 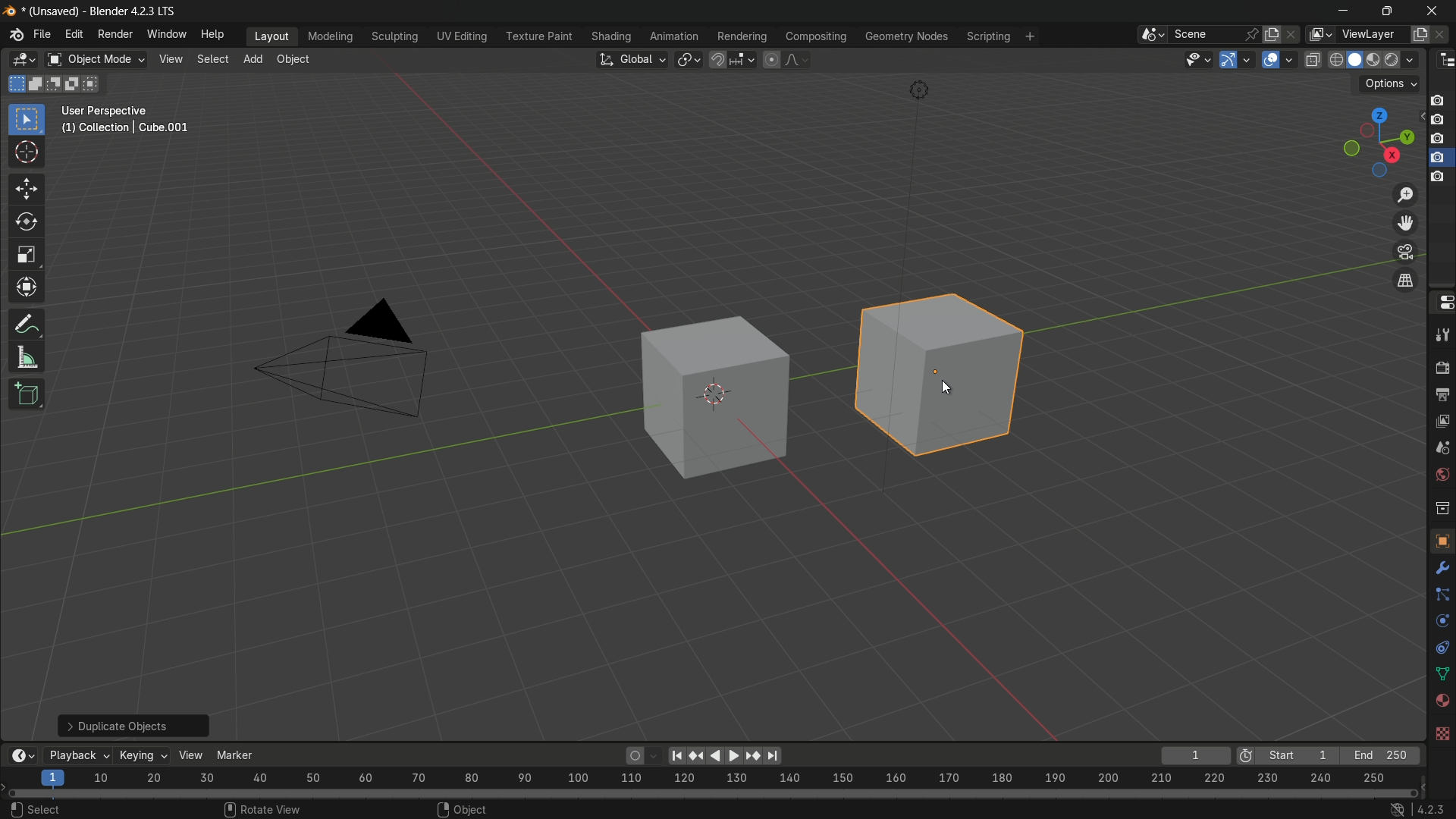 What do you see at coordinates (1442, 594) in the screenshot?
I see `particles` at bounding box center [1442, 594].